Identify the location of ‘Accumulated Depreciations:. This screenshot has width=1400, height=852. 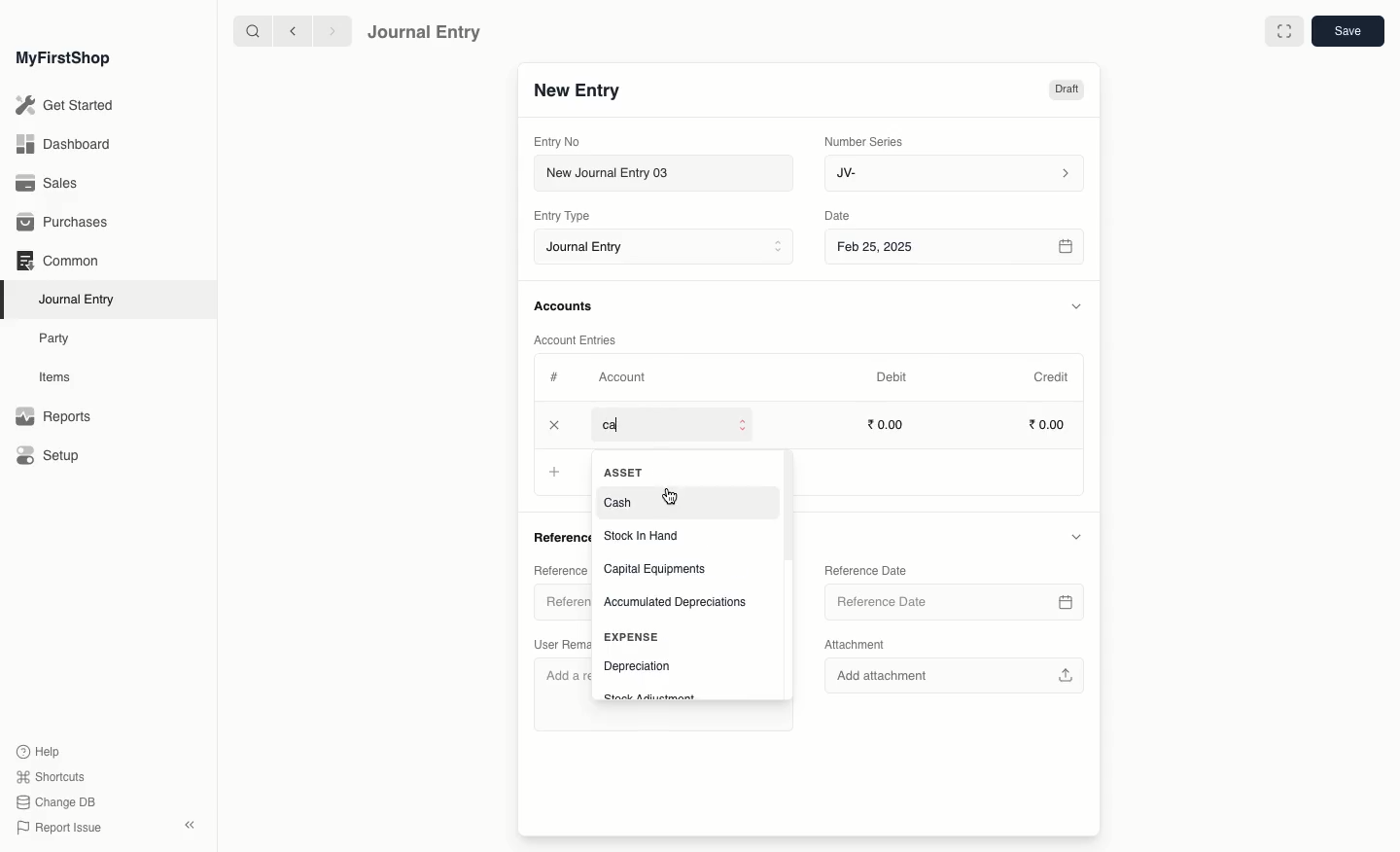
(681, 603).